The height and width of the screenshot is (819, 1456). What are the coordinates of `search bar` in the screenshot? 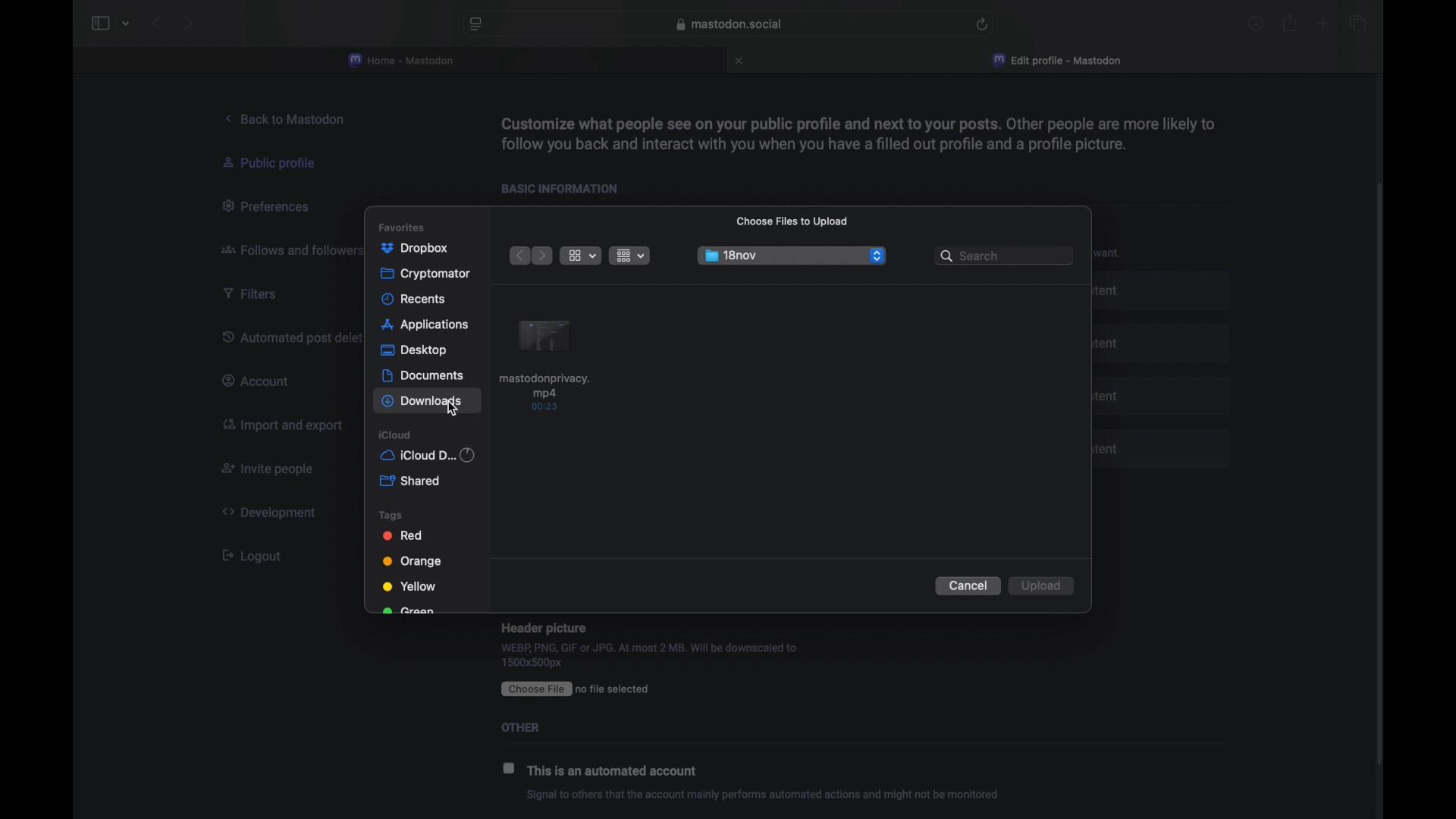 It's located at (1003, 255).